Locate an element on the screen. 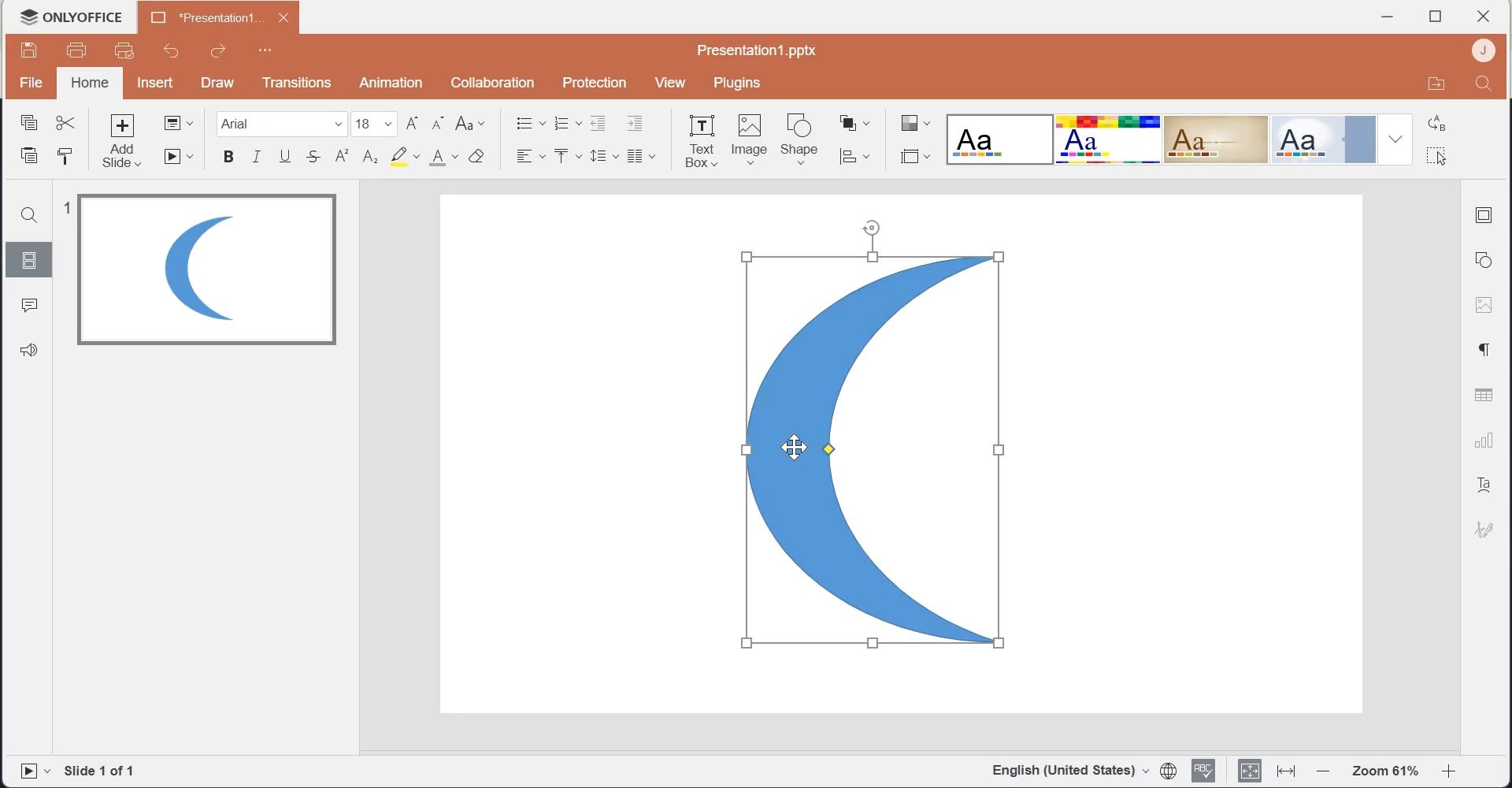 The width and height of the screenshot is (1512, 788). Zoom out is located at coordinates (1322, 772).